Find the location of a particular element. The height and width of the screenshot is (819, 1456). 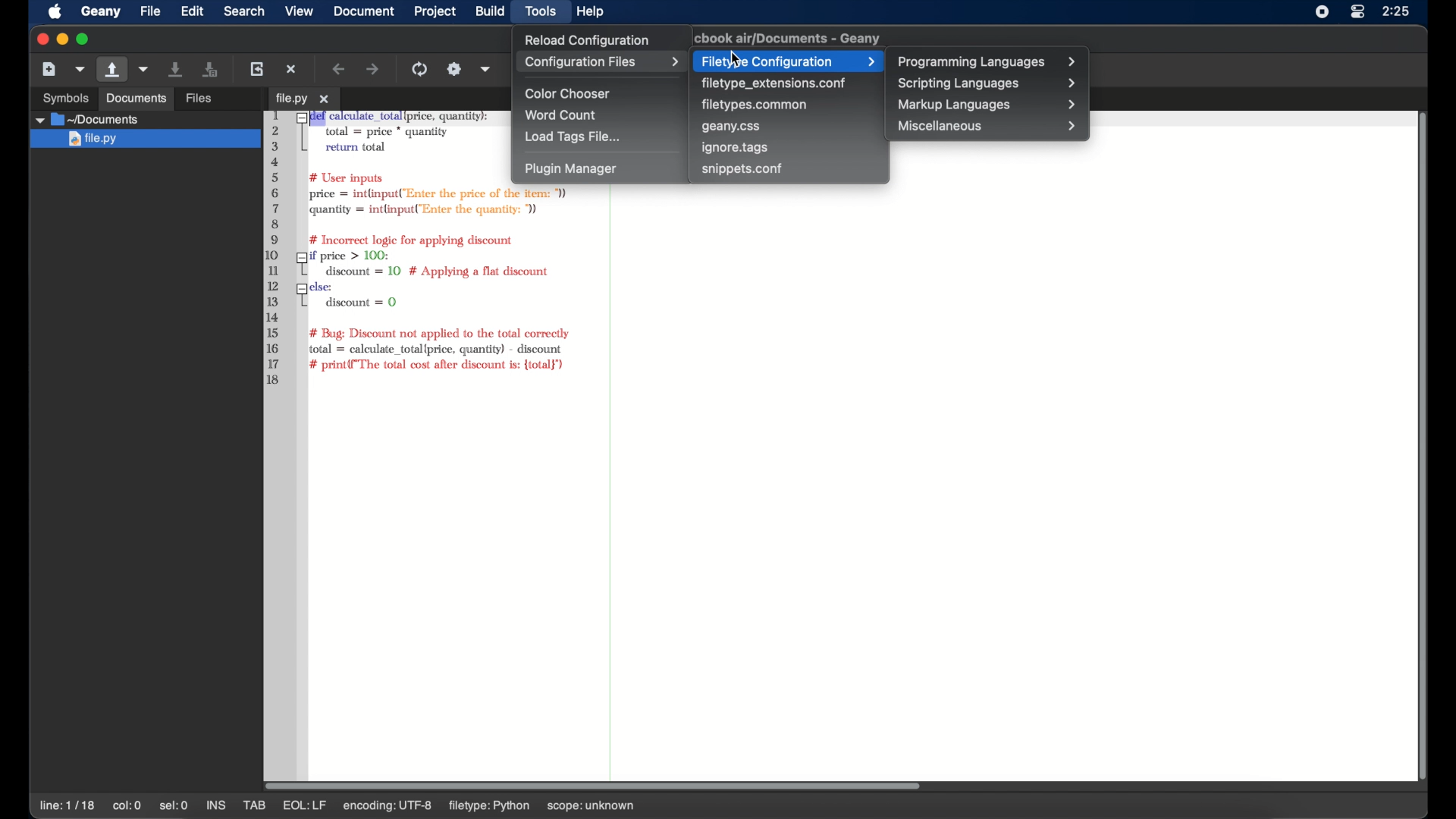

scope: unknown is located at coordinates (637, 807).